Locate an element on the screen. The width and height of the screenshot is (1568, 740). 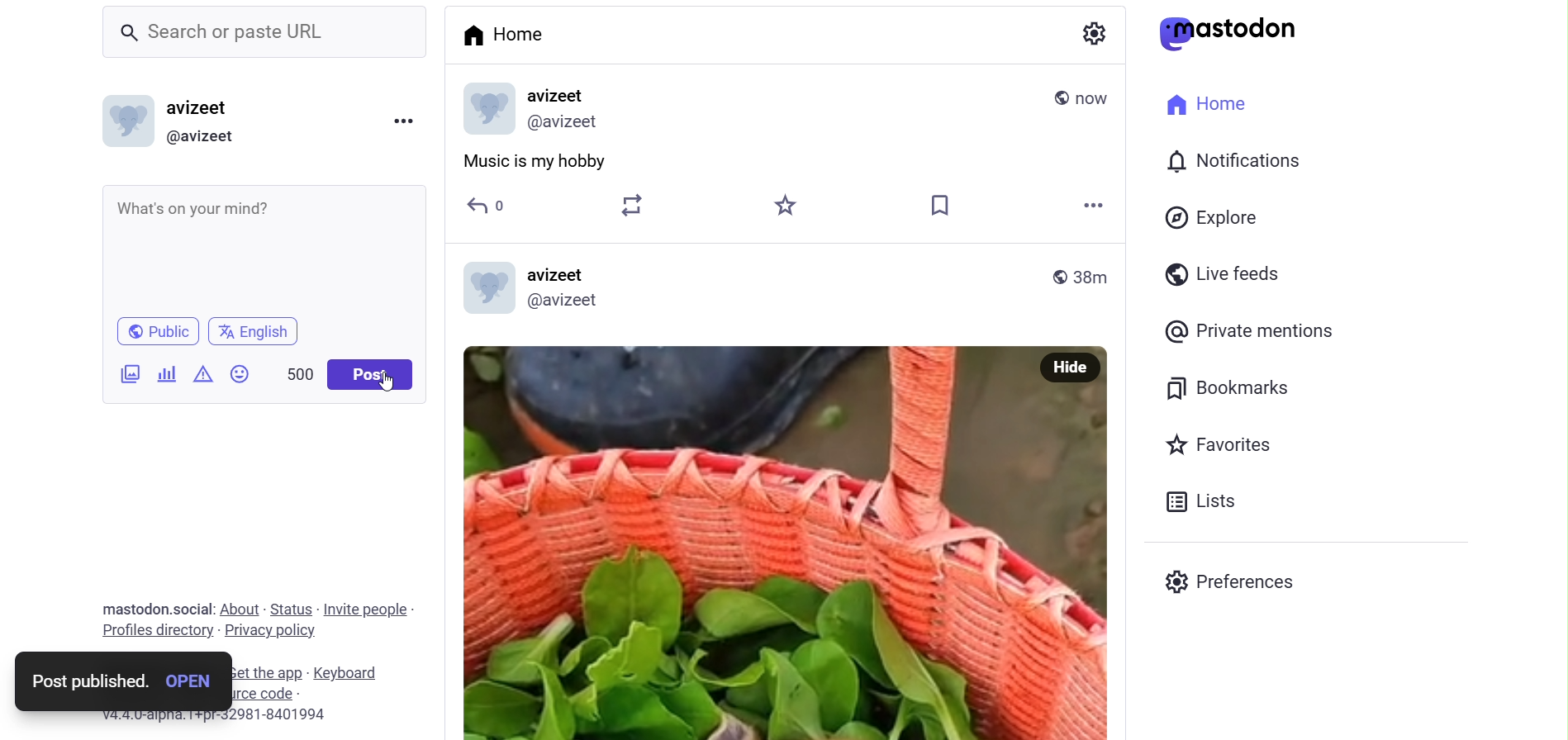
Privacy policy is located at coordinates (276, 630).